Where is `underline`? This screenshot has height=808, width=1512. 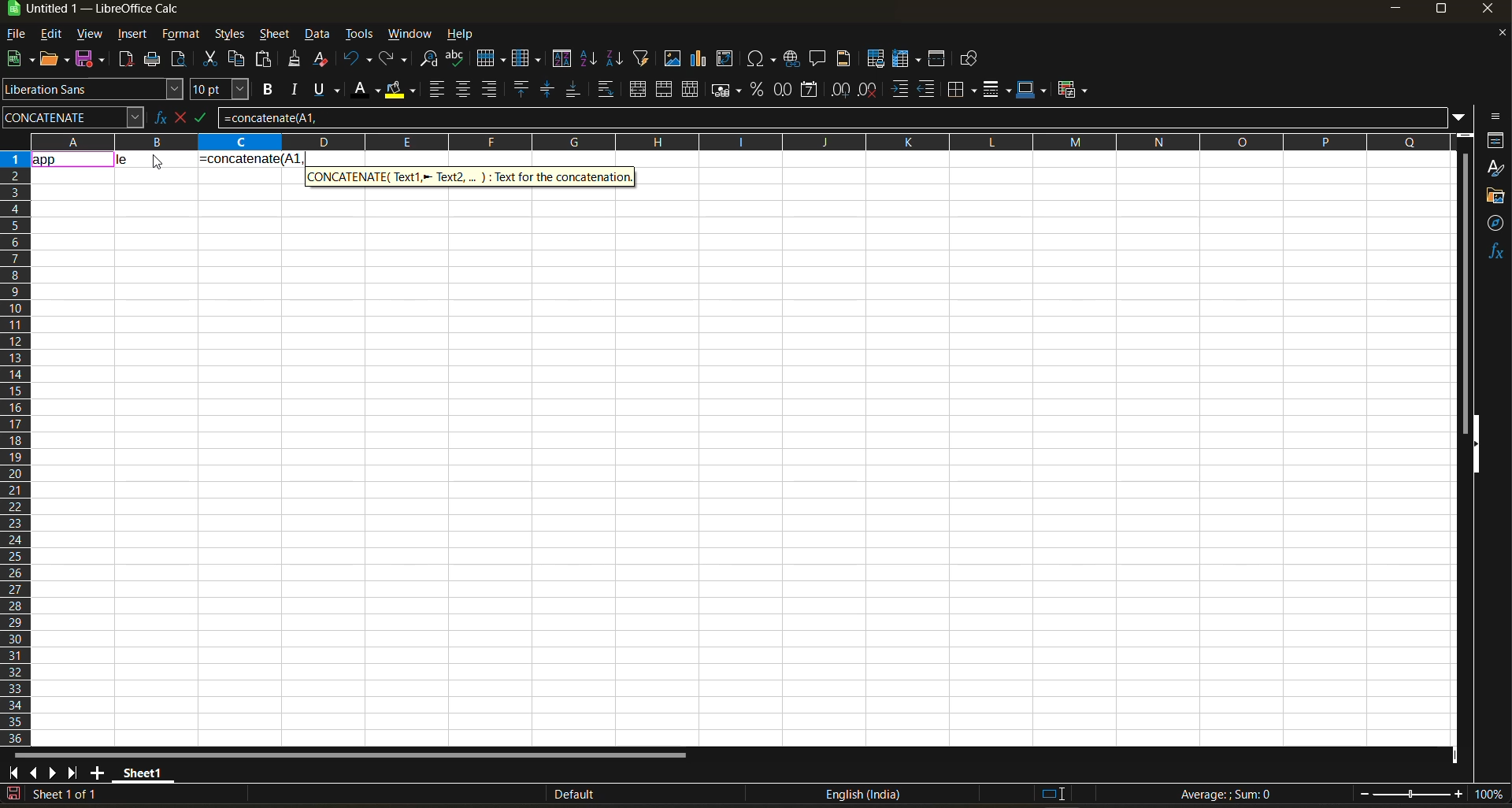
underline is located at coordinates (331, 89).